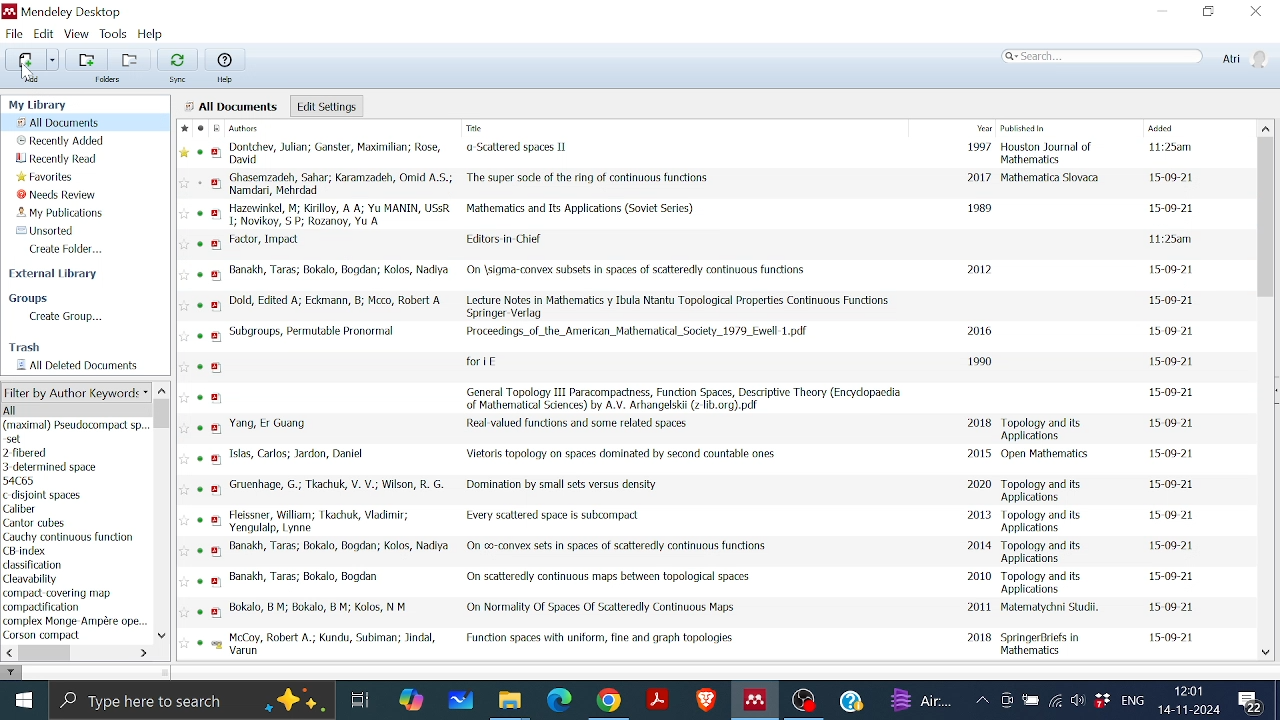 This screenshot has height=720, width=1280. What do you see at coordinates (1172, 546) in the screenshot?
I see `date` at bounding box center [1172, 546].